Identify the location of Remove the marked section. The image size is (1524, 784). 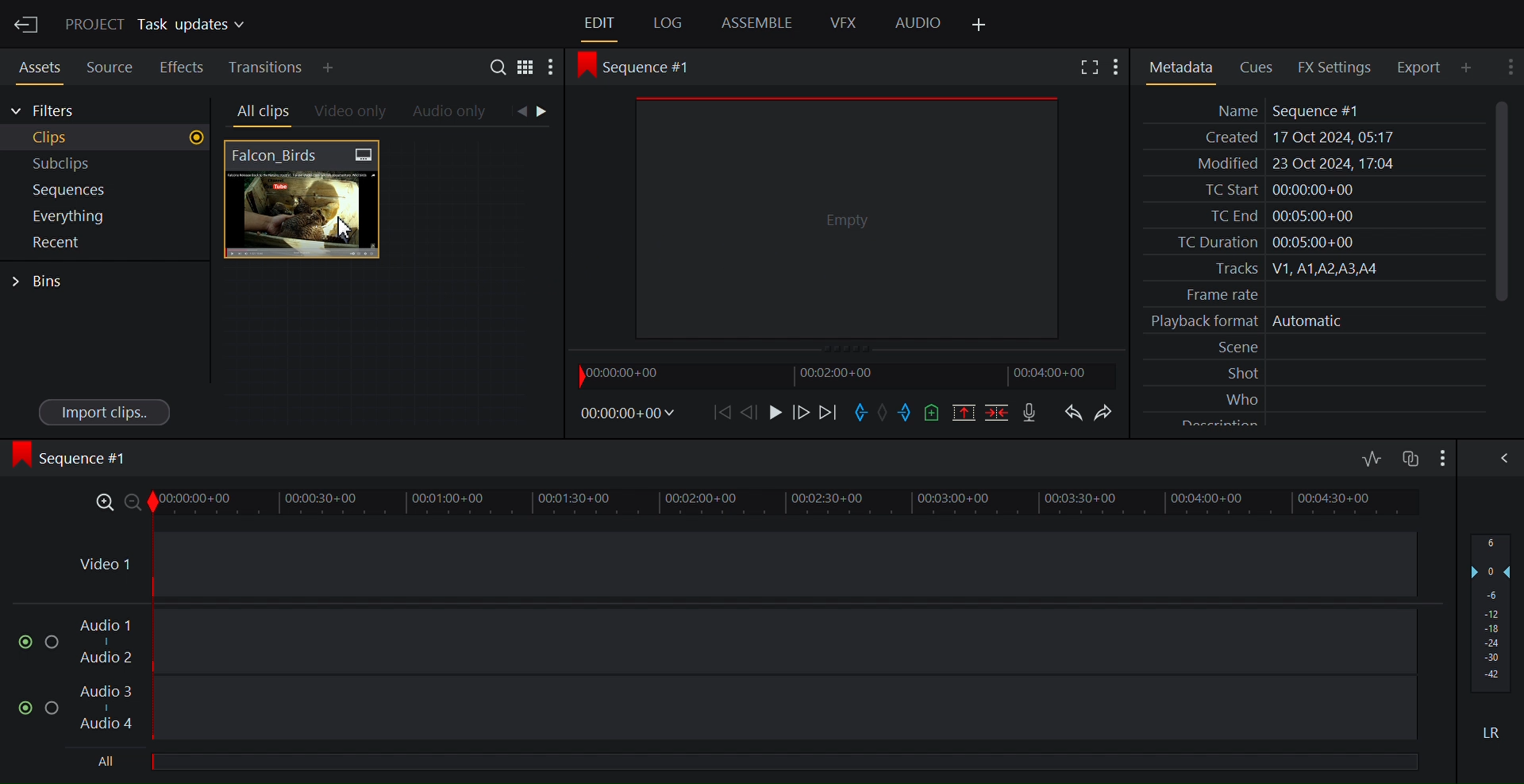
(966, 413).